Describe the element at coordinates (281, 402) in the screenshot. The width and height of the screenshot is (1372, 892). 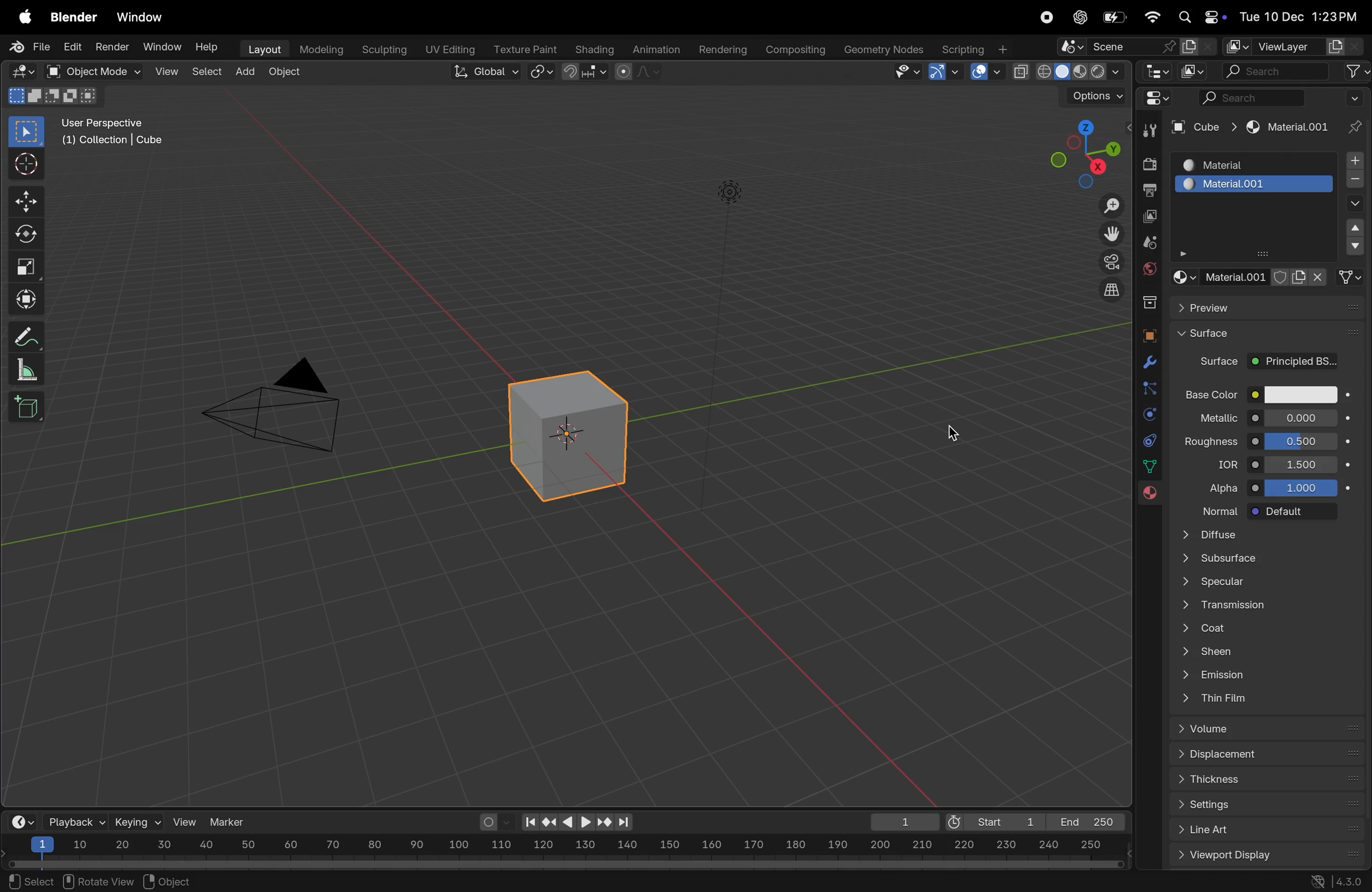
I see `camera view ` at that location.